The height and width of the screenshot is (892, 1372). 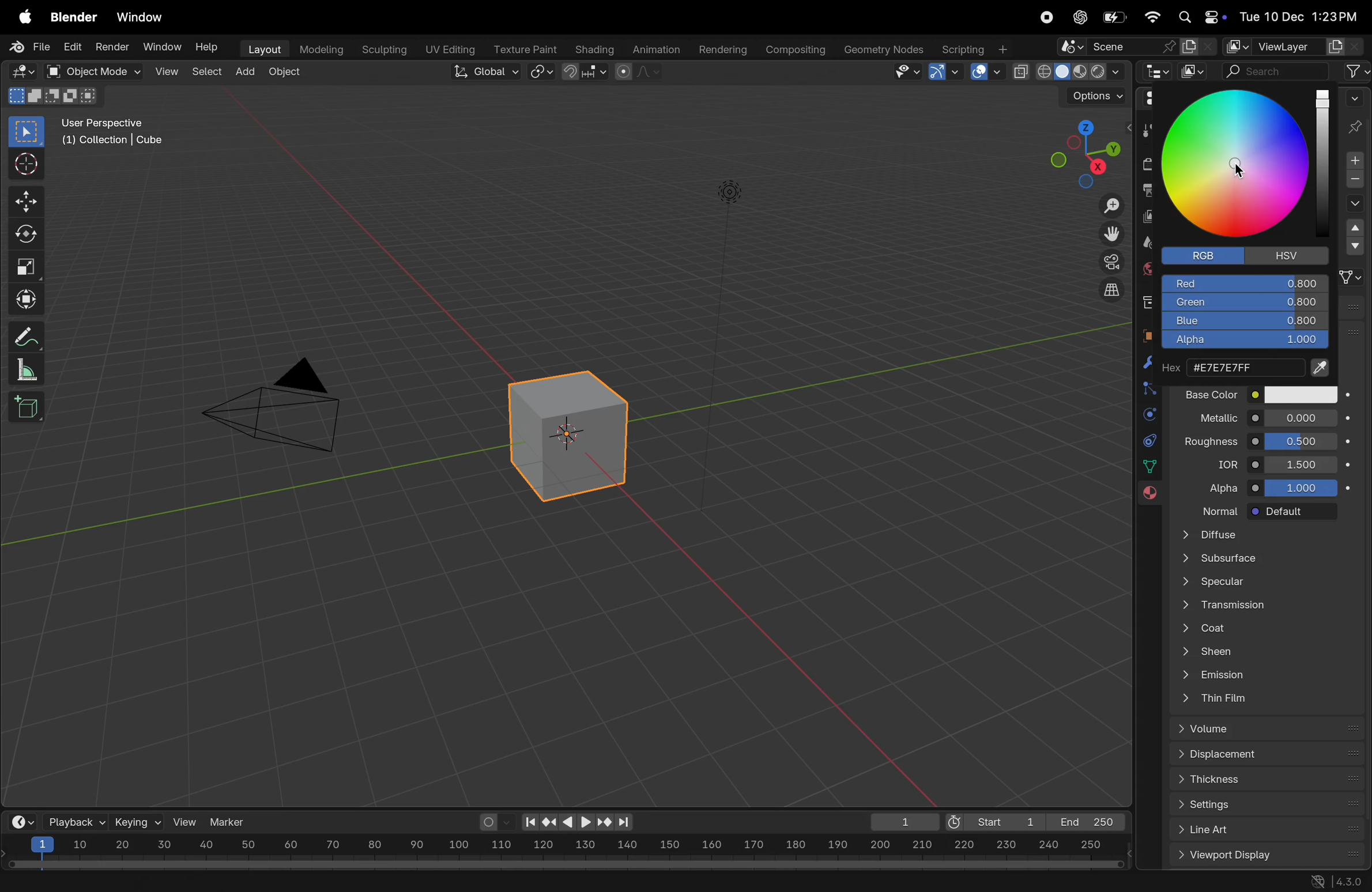 What do you see at coordinates (379, 47) in the screenshot?
I see `Sculpting` at bounding box center [379, 47].